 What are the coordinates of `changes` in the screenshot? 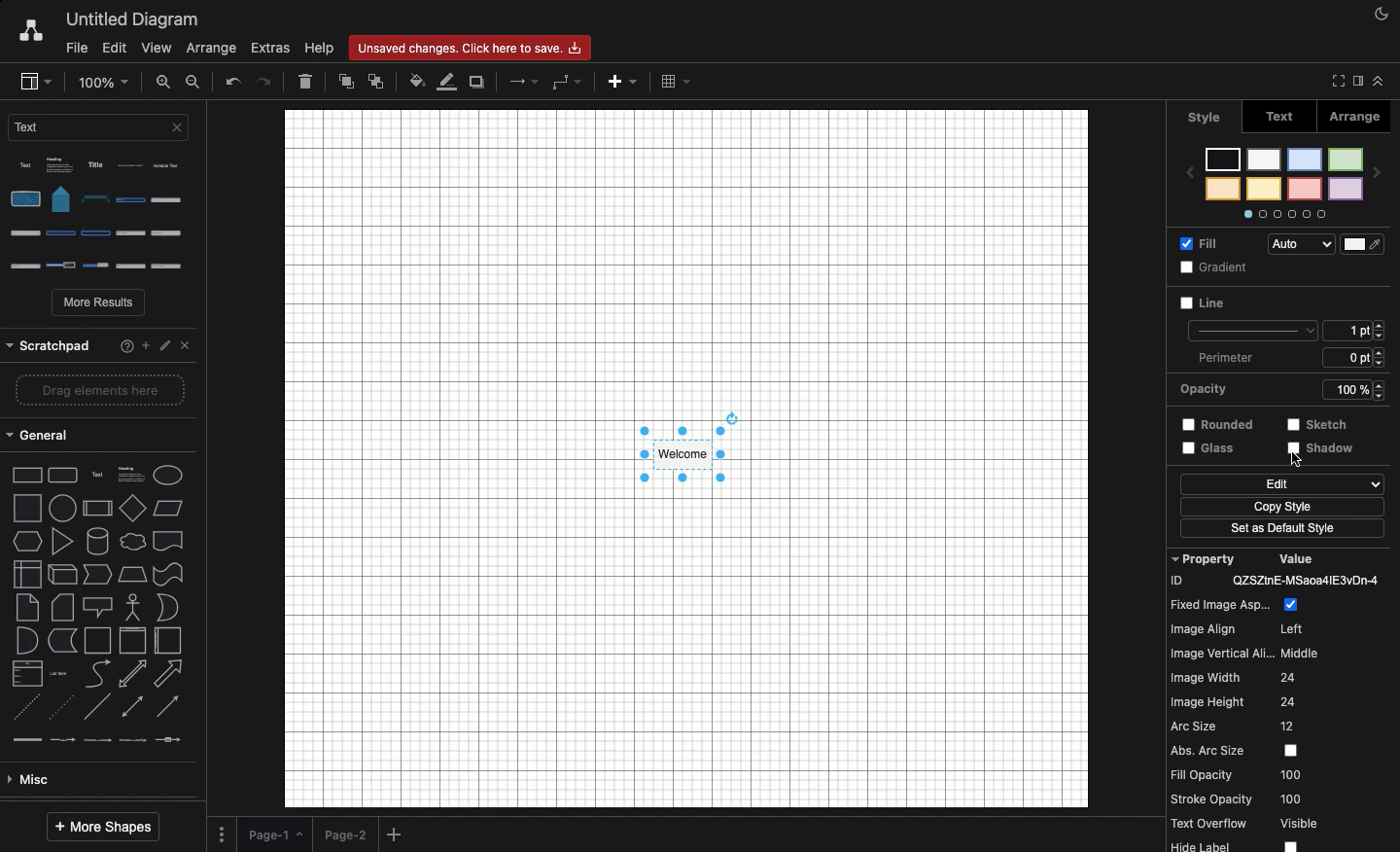 It's located at (475, 47).